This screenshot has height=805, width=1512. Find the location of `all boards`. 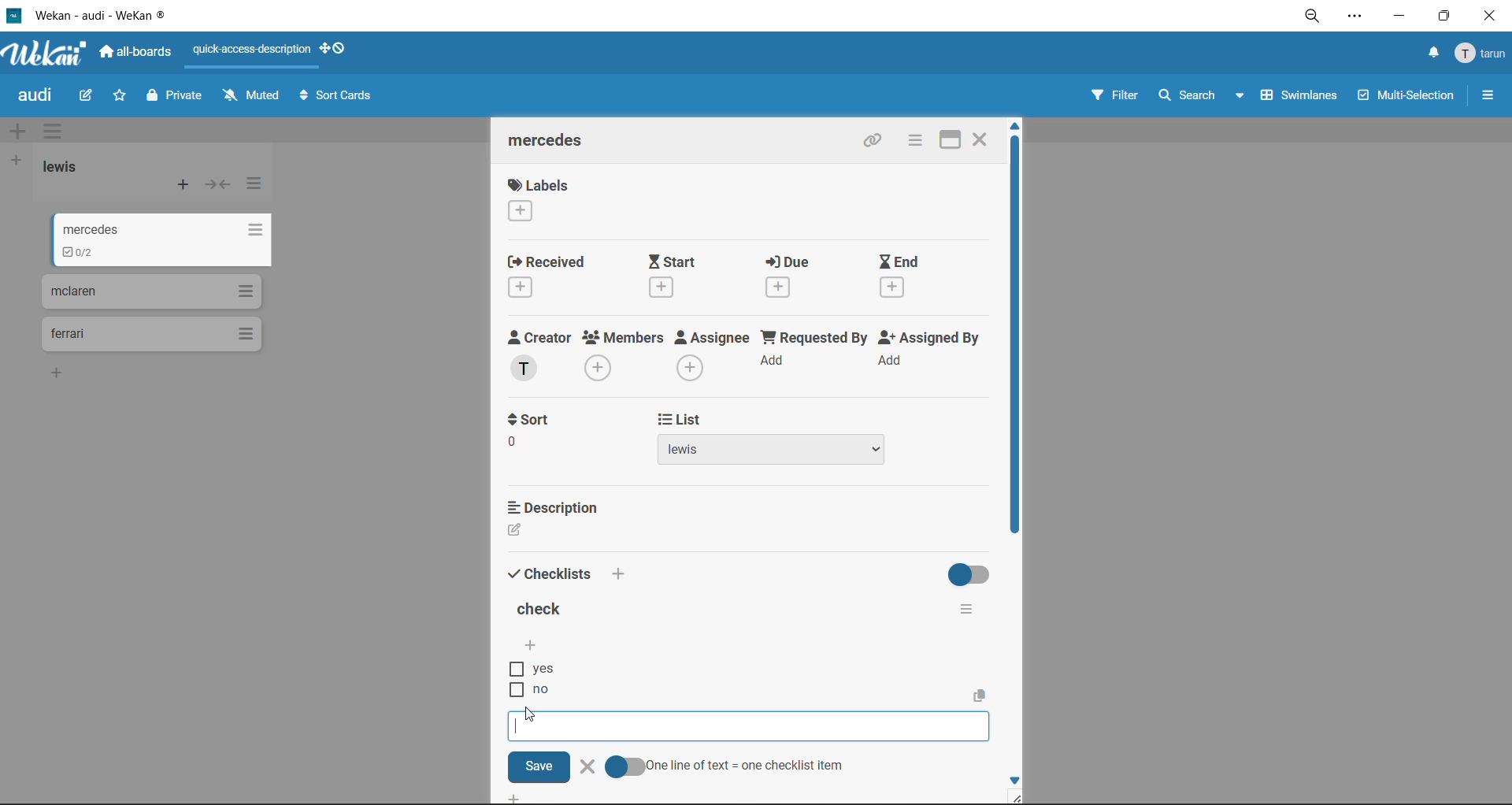

all boards is located at coordinates (136, 53).